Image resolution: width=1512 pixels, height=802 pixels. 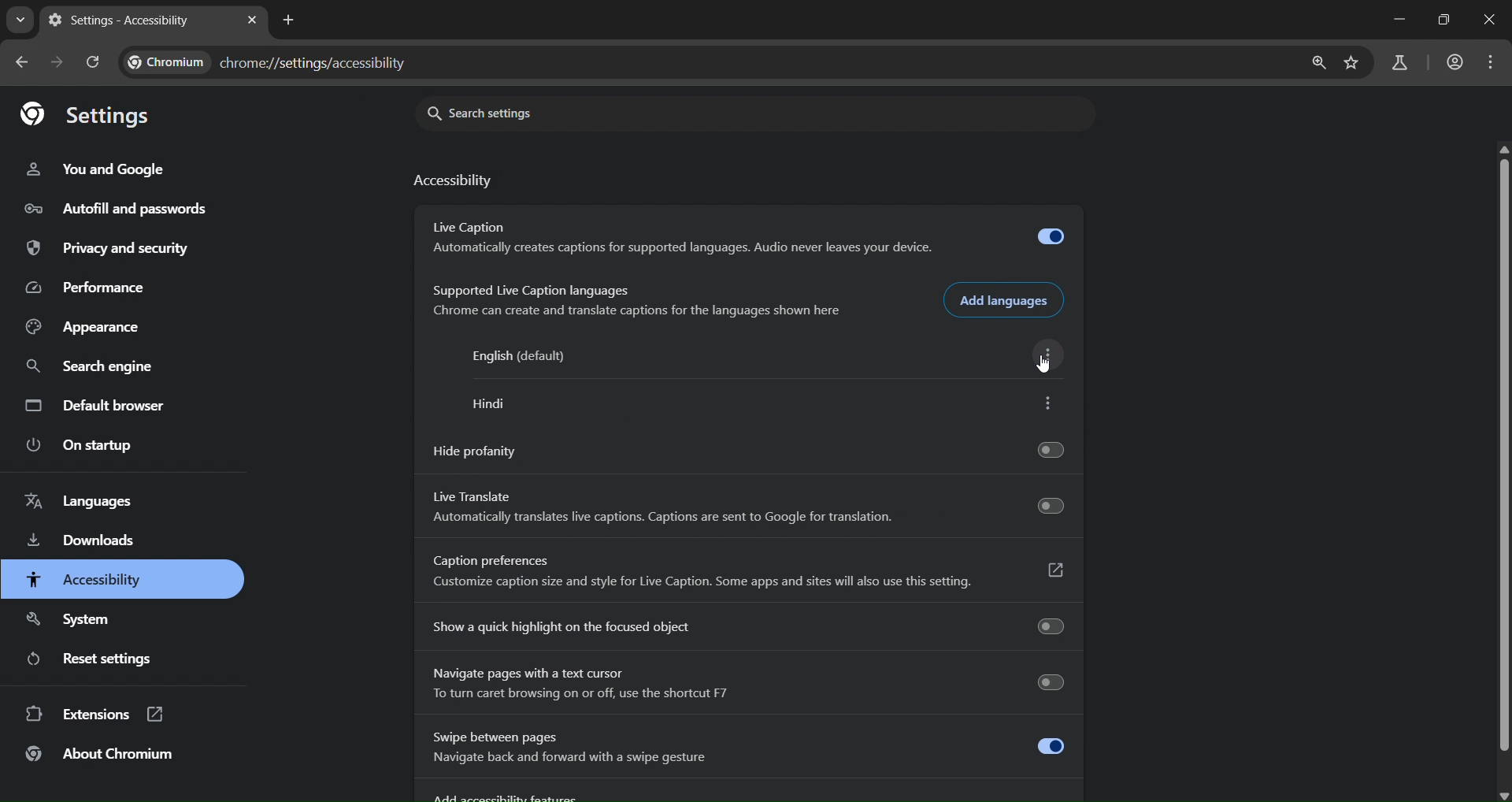 I want to click on scroll down, so click(x=1503, y=796).